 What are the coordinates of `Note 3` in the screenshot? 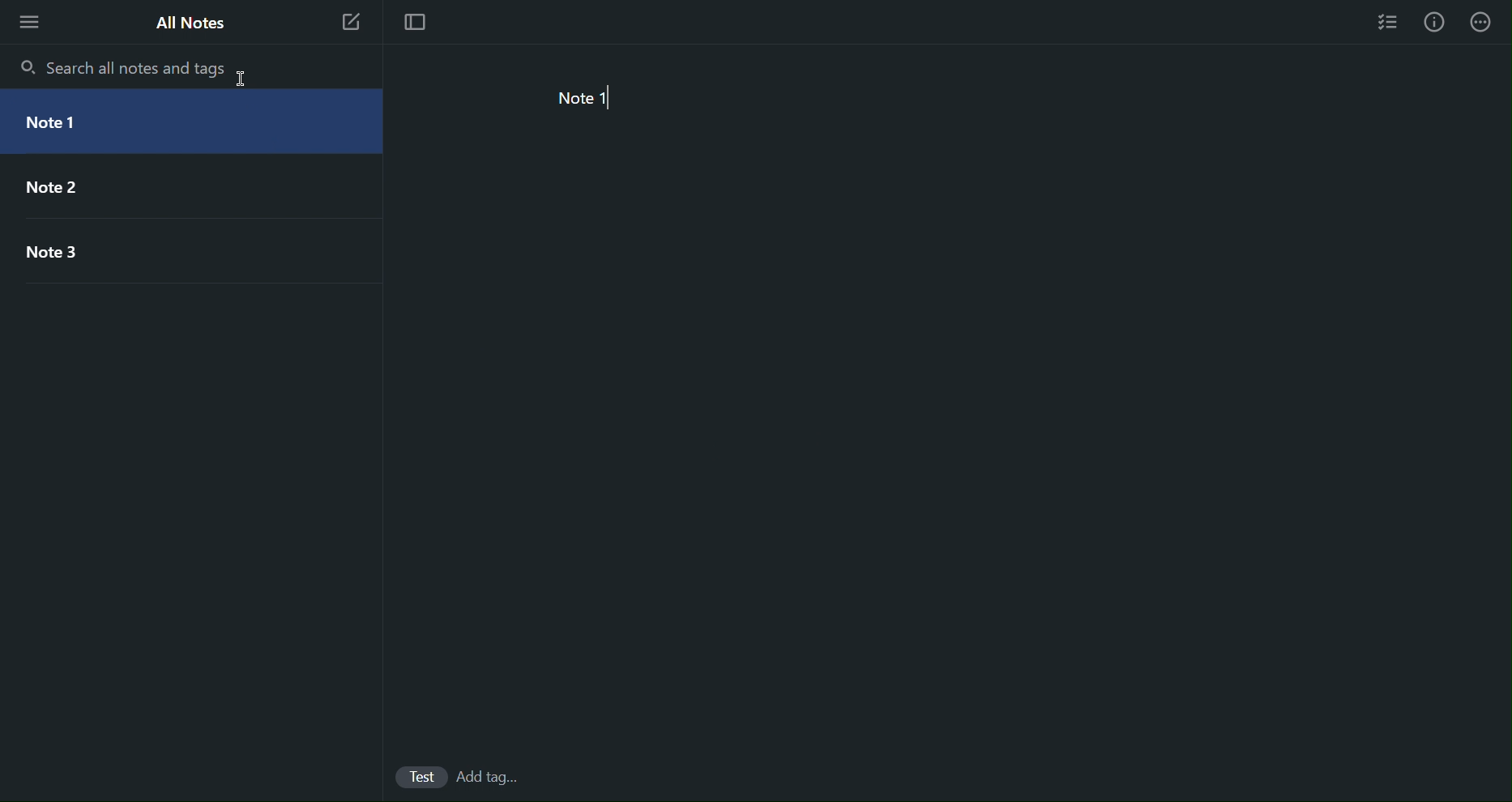 It's located at (164, 251).